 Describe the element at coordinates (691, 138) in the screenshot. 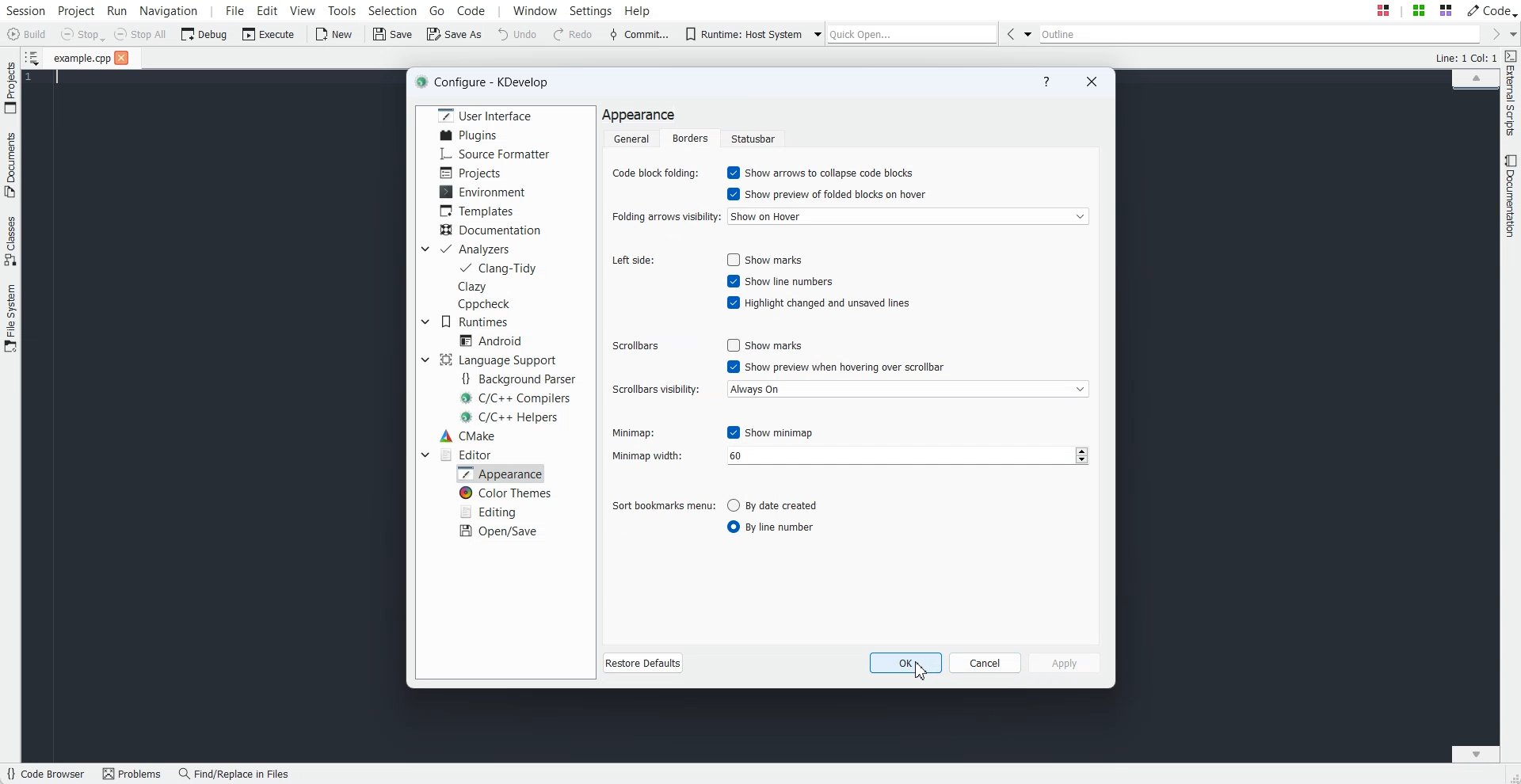

I see `Borders` at that location.